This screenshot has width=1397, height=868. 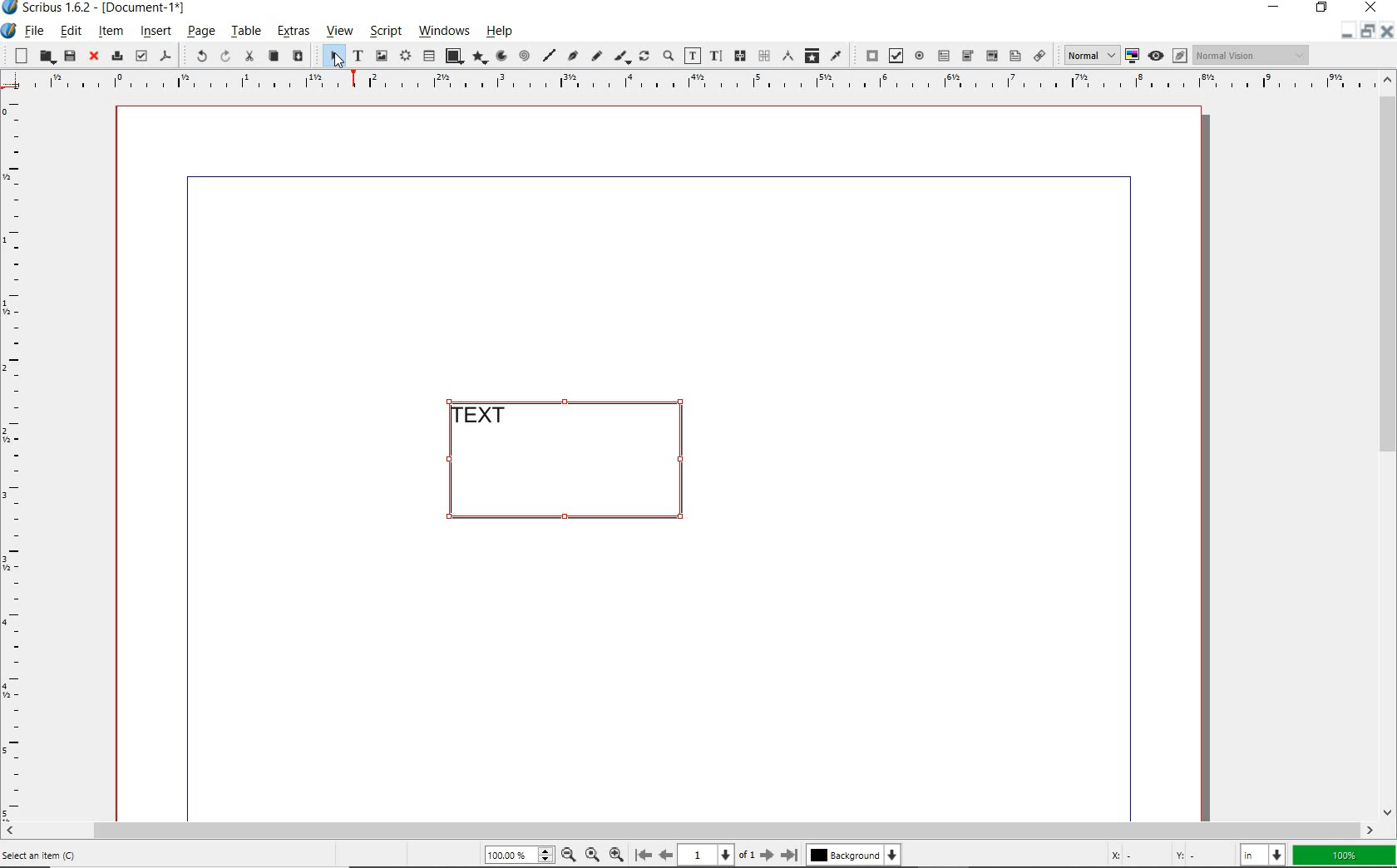 I want to click on render frame, so click(x=404, y=57).